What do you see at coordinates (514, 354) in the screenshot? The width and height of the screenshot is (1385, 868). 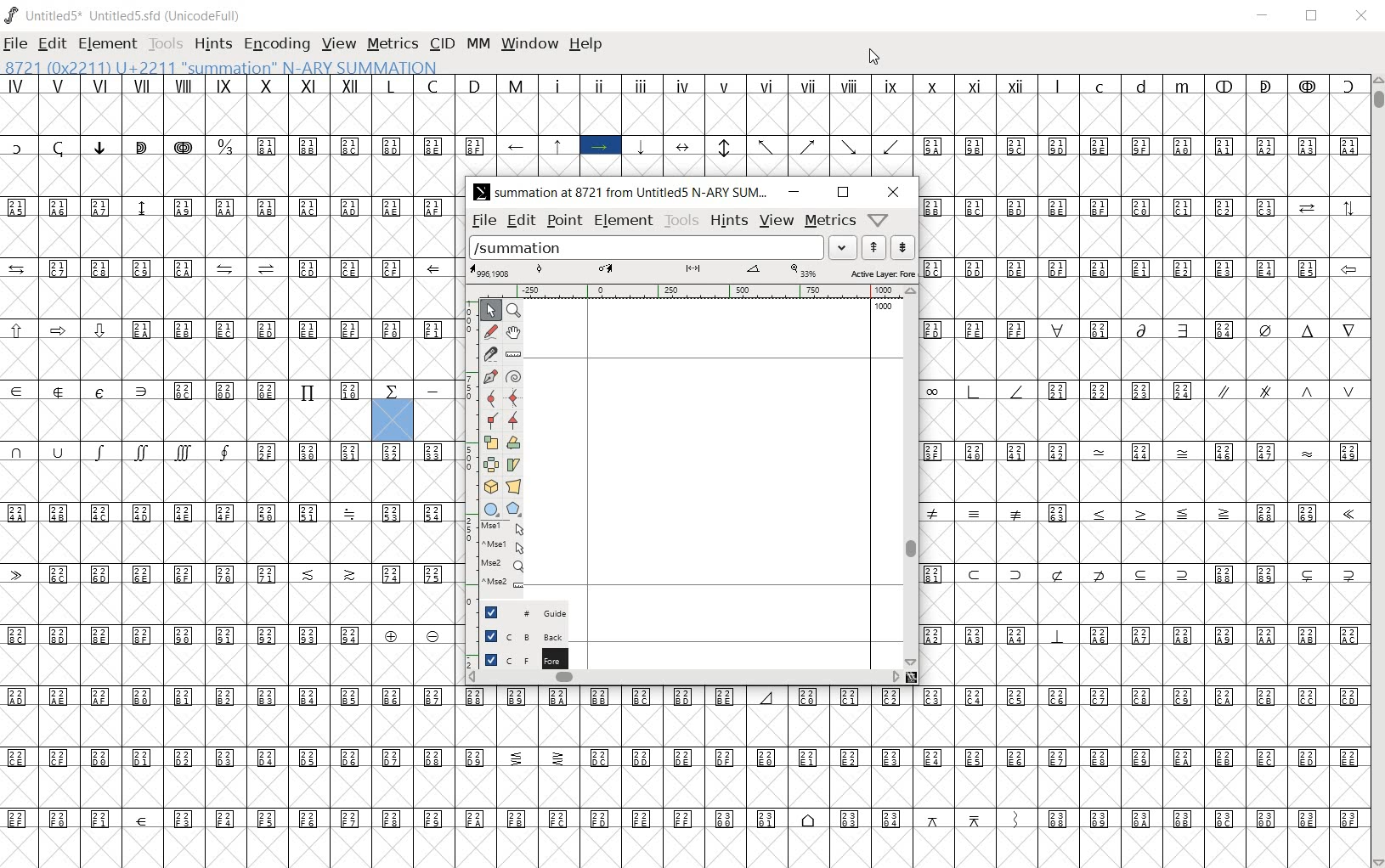 I see `measure a distance, angle between points` at bounding box center [514, 354].